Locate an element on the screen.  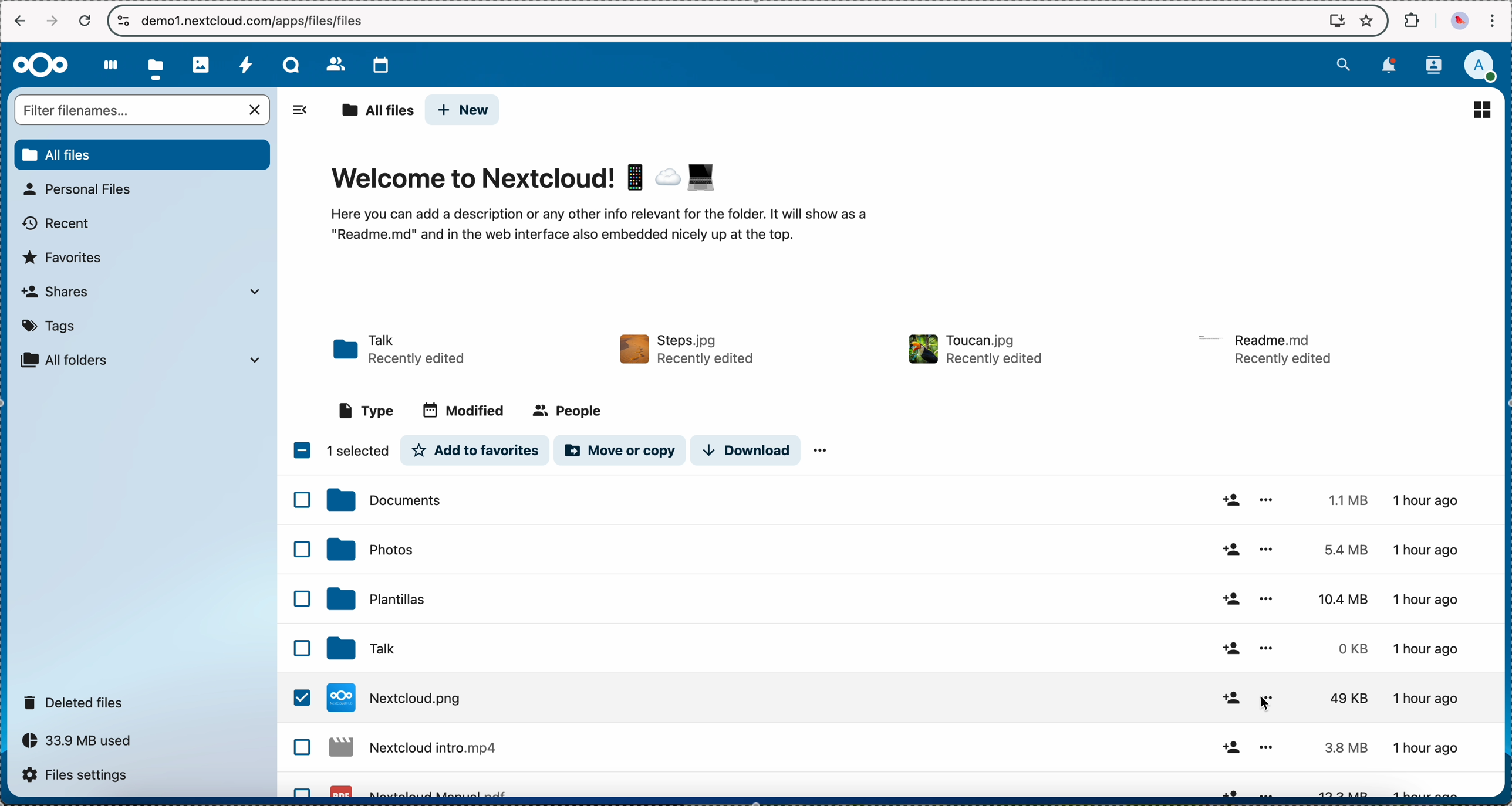
files settings is located at coordinates (78, 775).